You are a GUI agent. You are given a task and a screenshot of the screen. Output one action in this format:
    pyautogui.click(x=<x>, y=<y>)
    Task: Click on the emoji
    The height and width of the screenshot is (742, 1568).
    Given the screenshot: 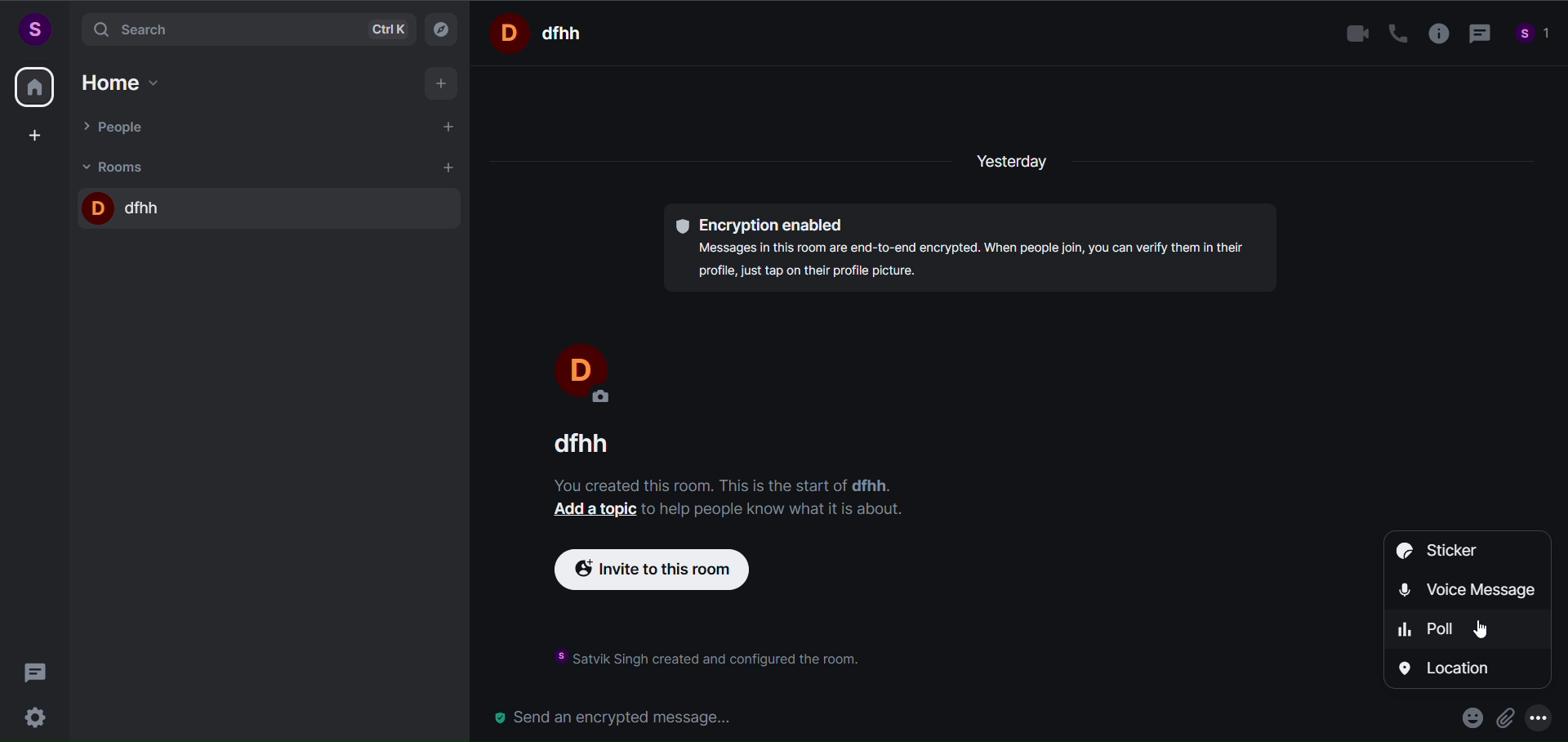 What is the action you would take?
    pyautogui.click(x=1467, y=717)
    